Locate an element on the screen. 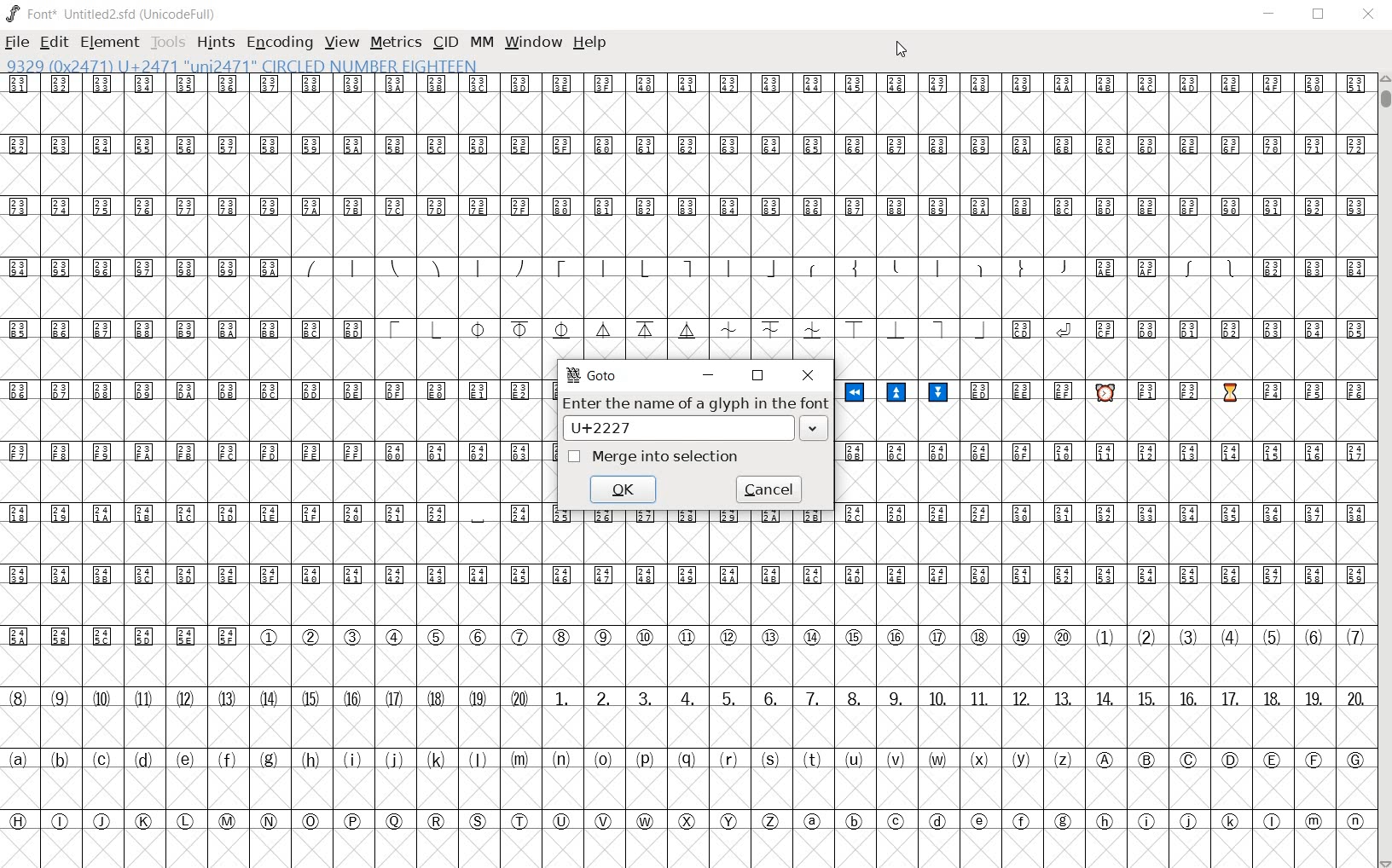 The image size is (1392, 868). mm is located at coordinates (481, 40).